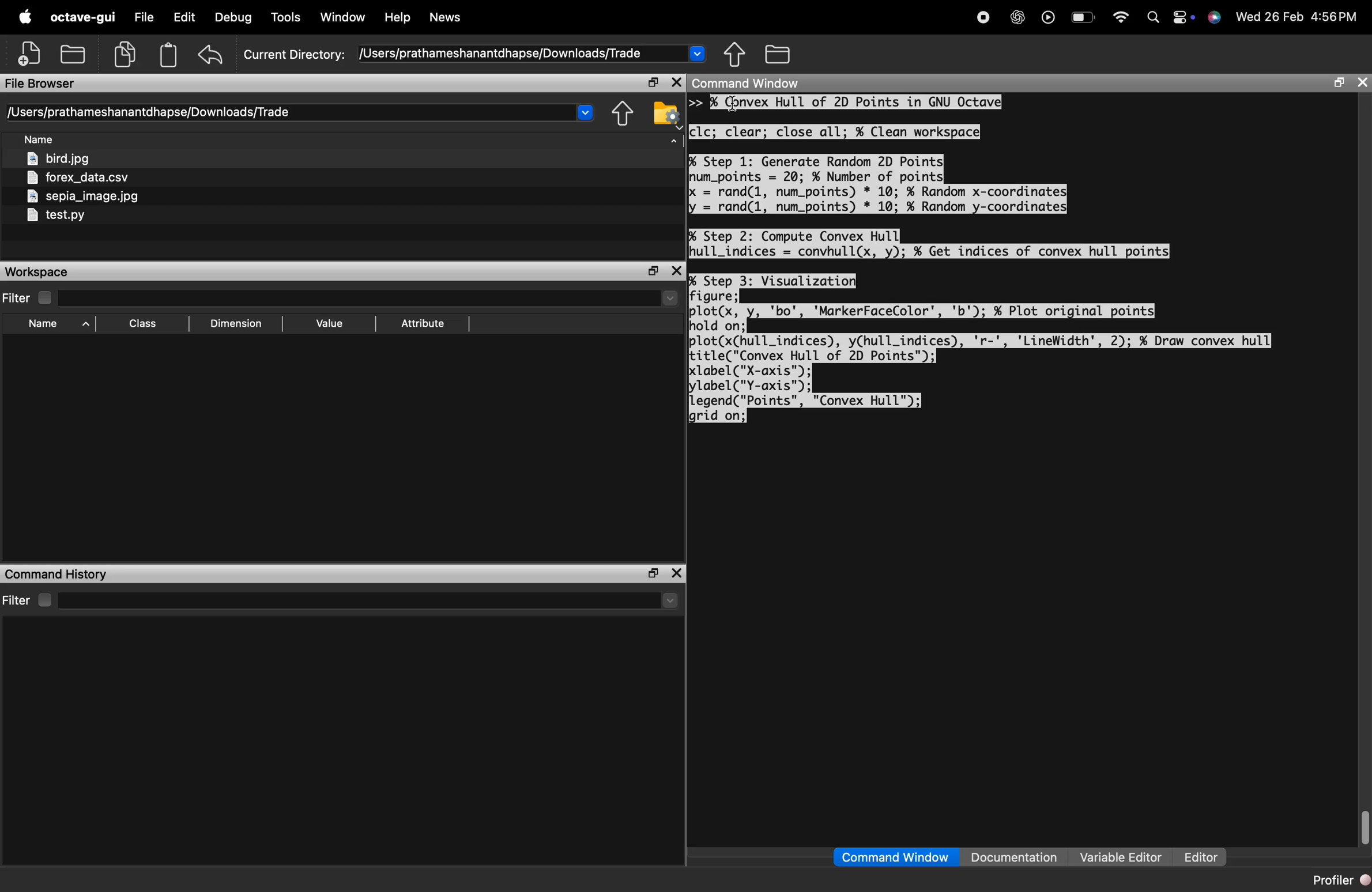  What do you see at coordinates (1049, 18) in the screenshot?
I see `play` at bounding box center [1049, 18].